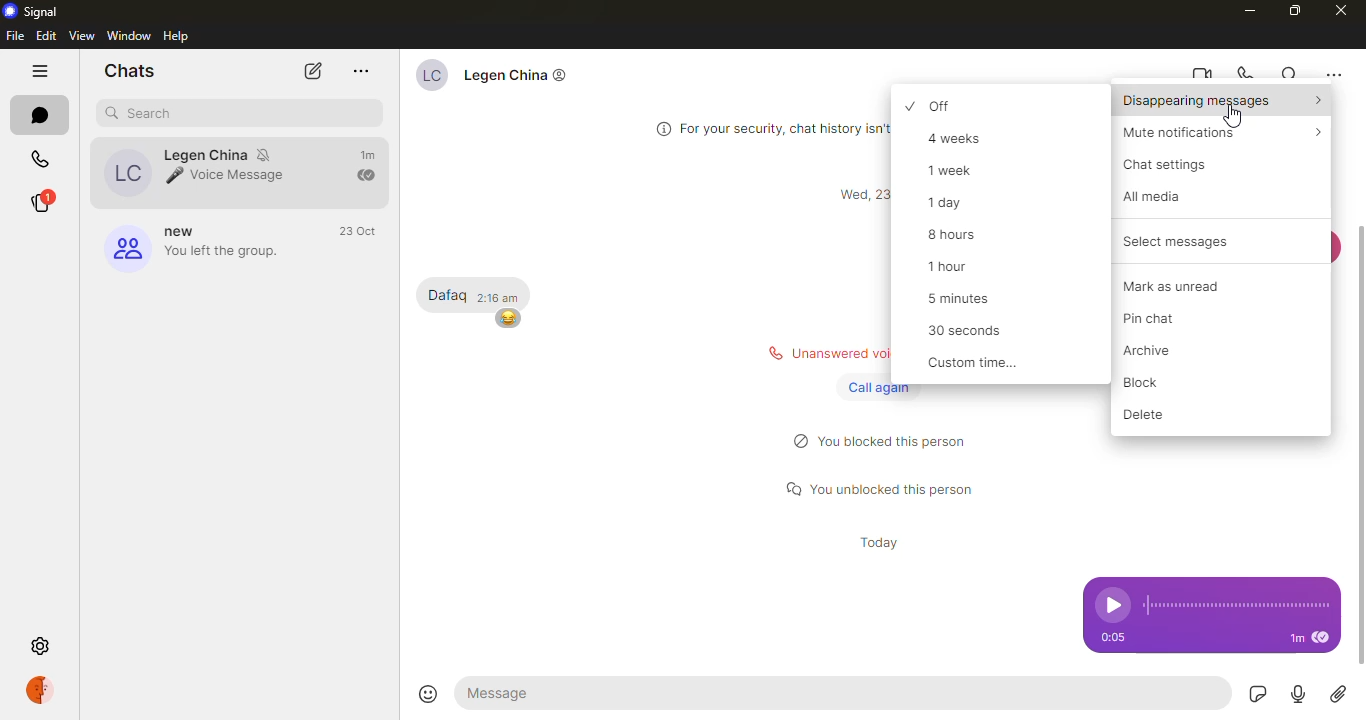  What do you see at coordinates (43, 154) in the screenshot?
I see `calls` at bounding box center [43, 154].